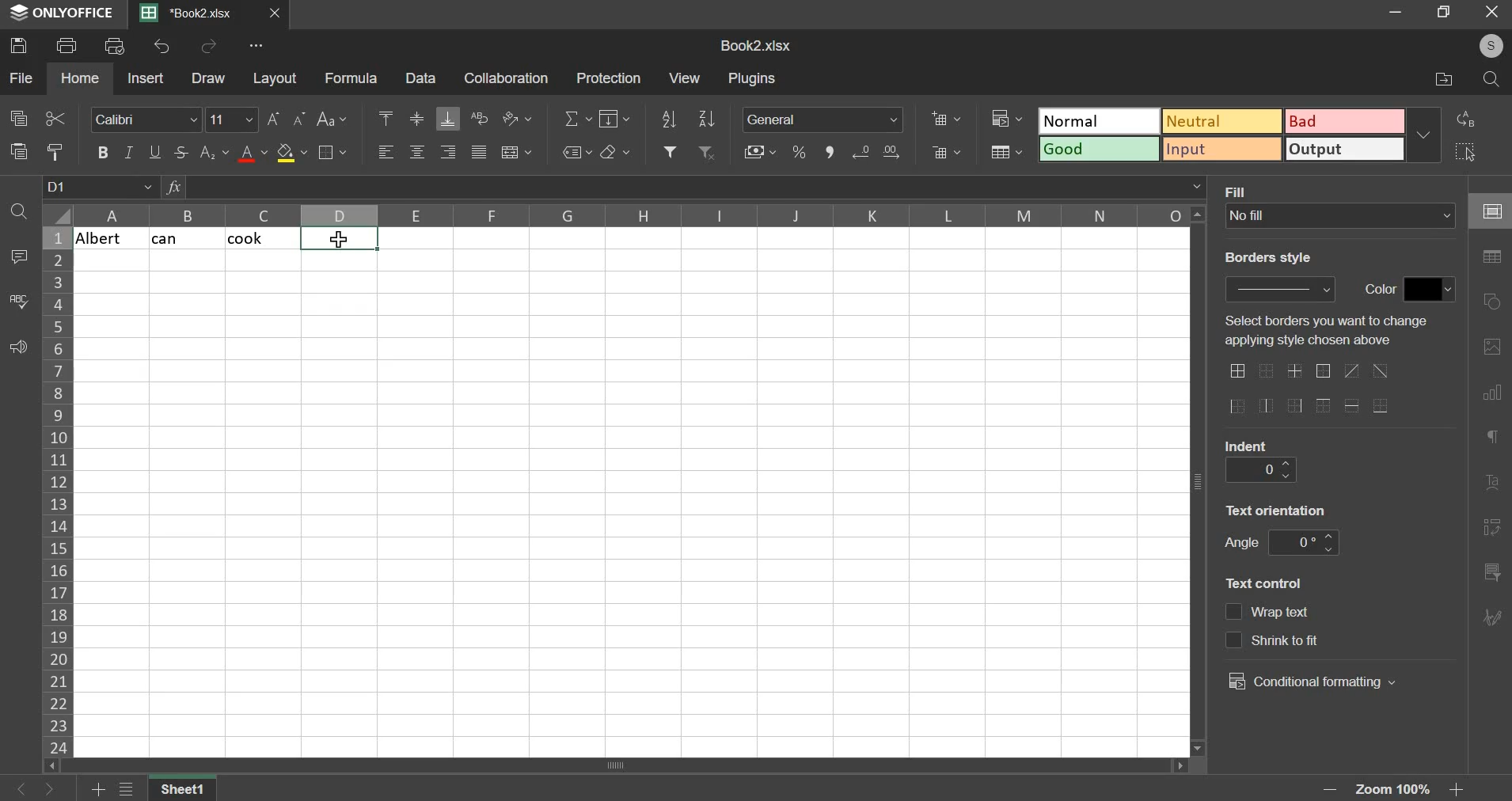 The height and width of the screenshot is (801, 1512). I want to click on select borders you want to change applying style chosen above, so click(1325, 332).